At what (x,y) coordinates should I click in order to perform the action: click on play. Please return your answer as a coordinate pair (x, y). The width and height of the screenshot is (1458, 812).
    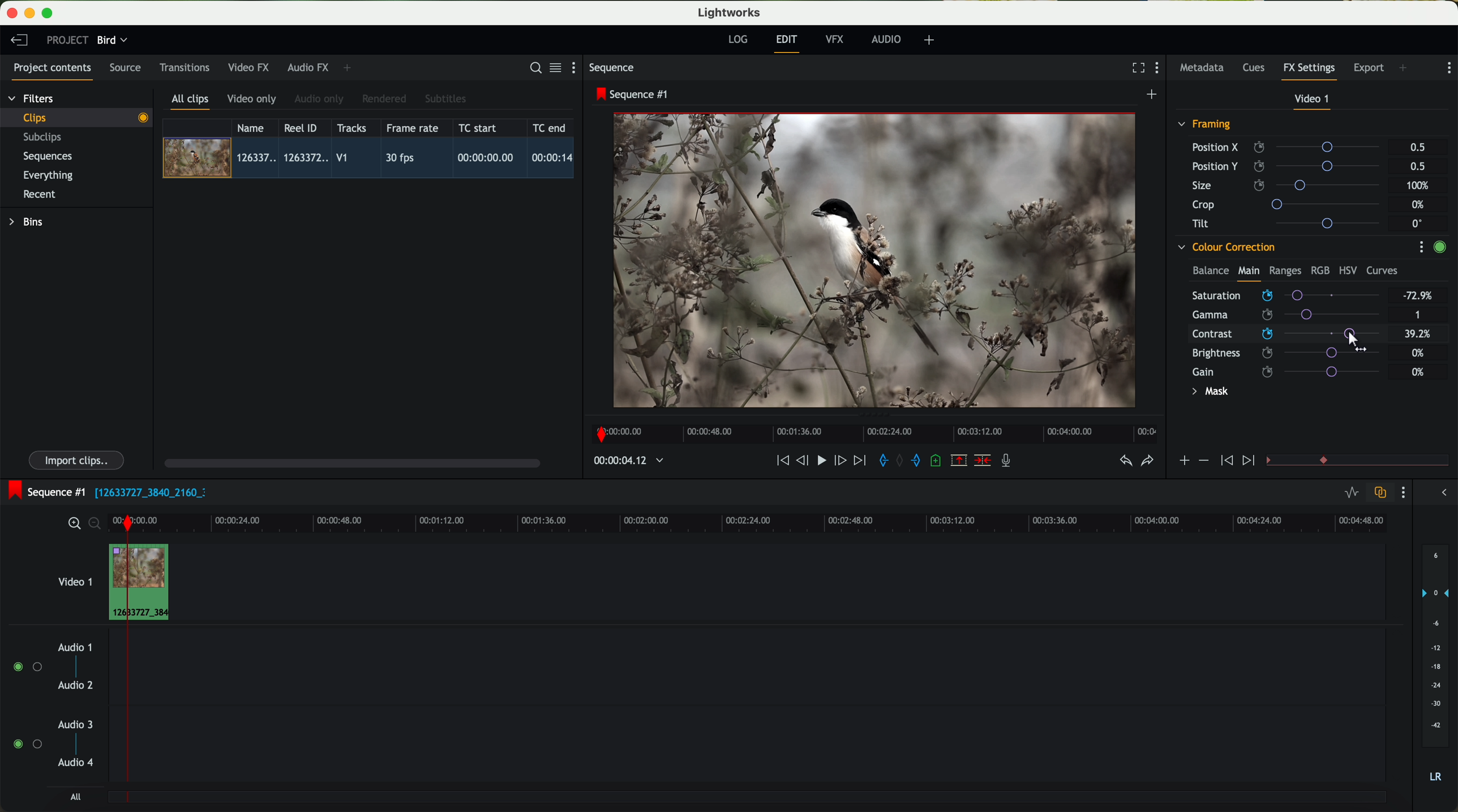
    Looking at the image, I should click on (821, 459).